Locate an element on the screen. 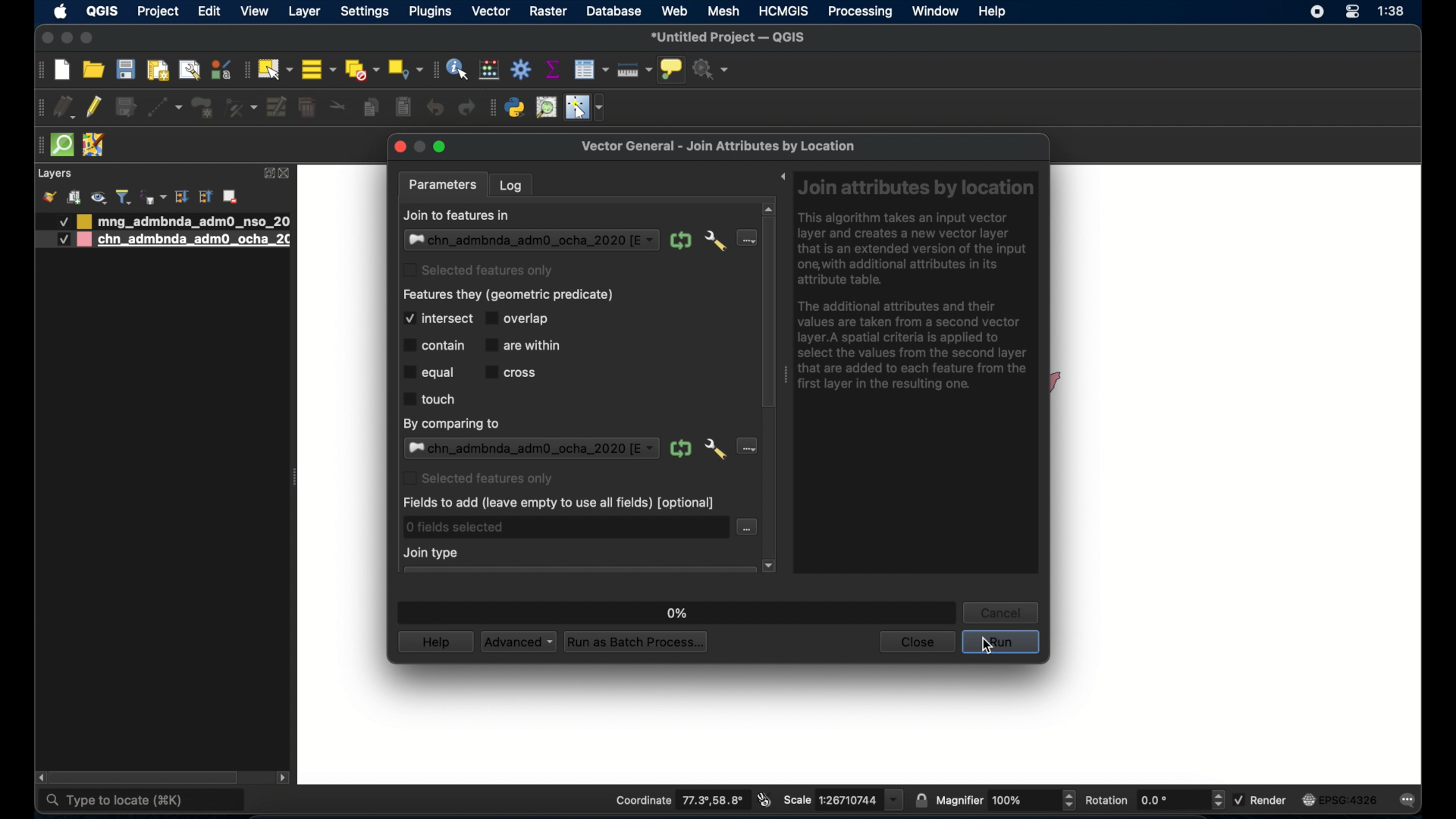  cursor is located at coordinates (986, 647).